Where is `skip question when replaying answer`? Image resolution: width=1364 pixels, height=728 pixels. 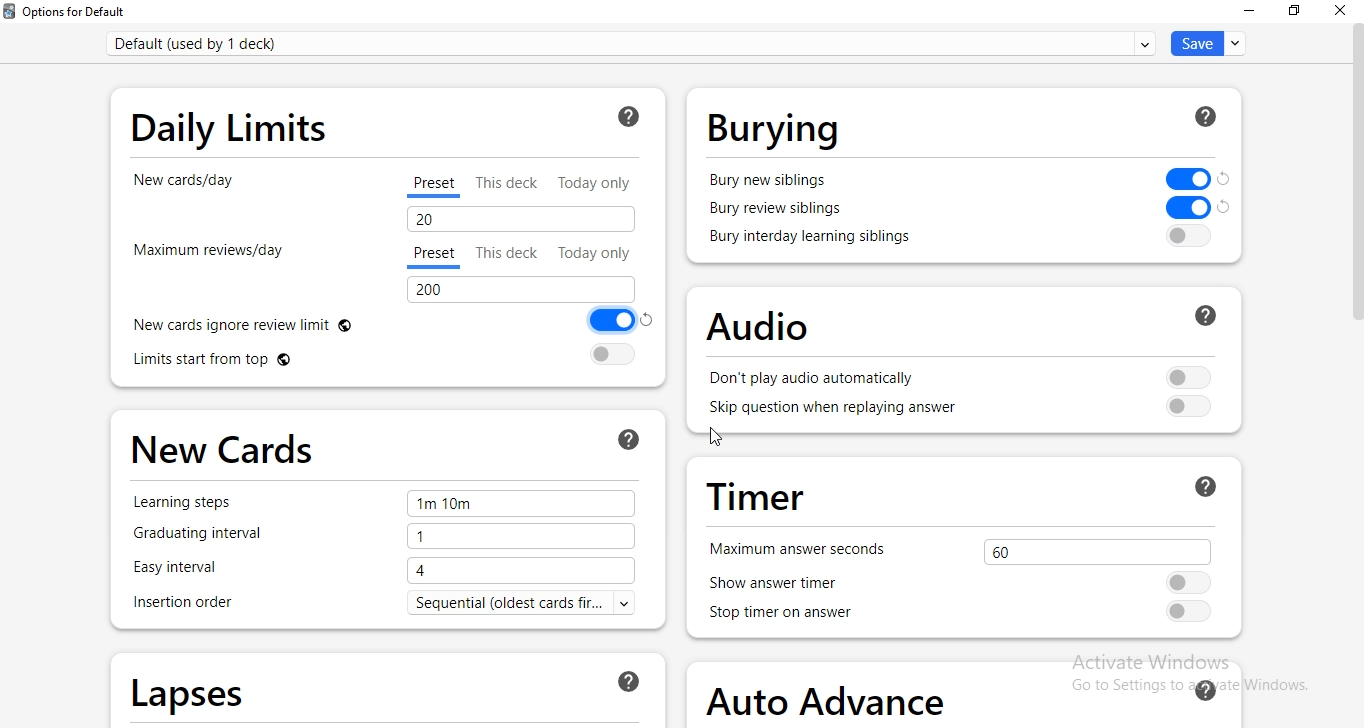 skip question when replaying answer is located at coordinates (824, 413).